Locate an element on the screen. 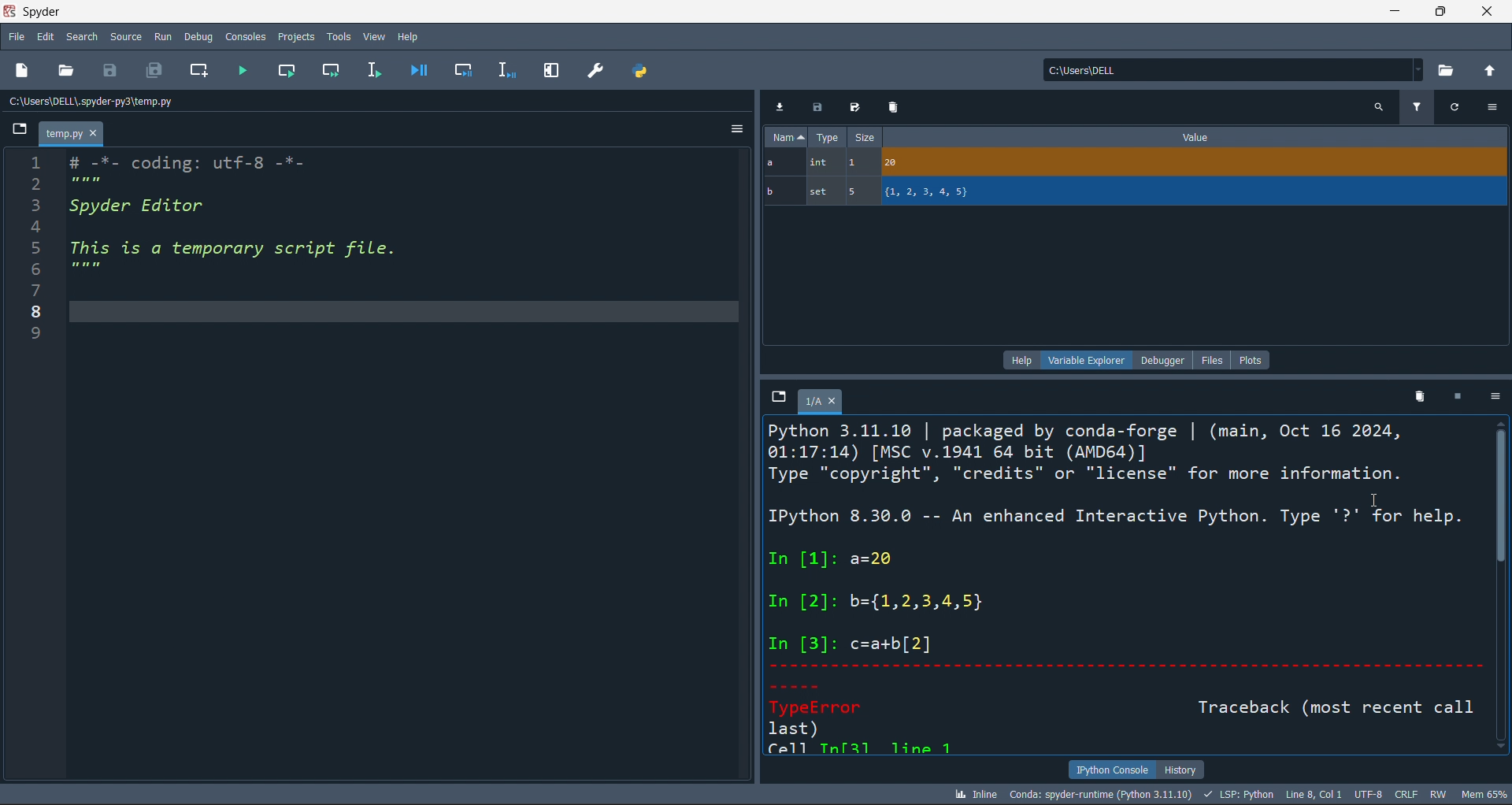  PROJECTS is located at coordinates (296, 36).